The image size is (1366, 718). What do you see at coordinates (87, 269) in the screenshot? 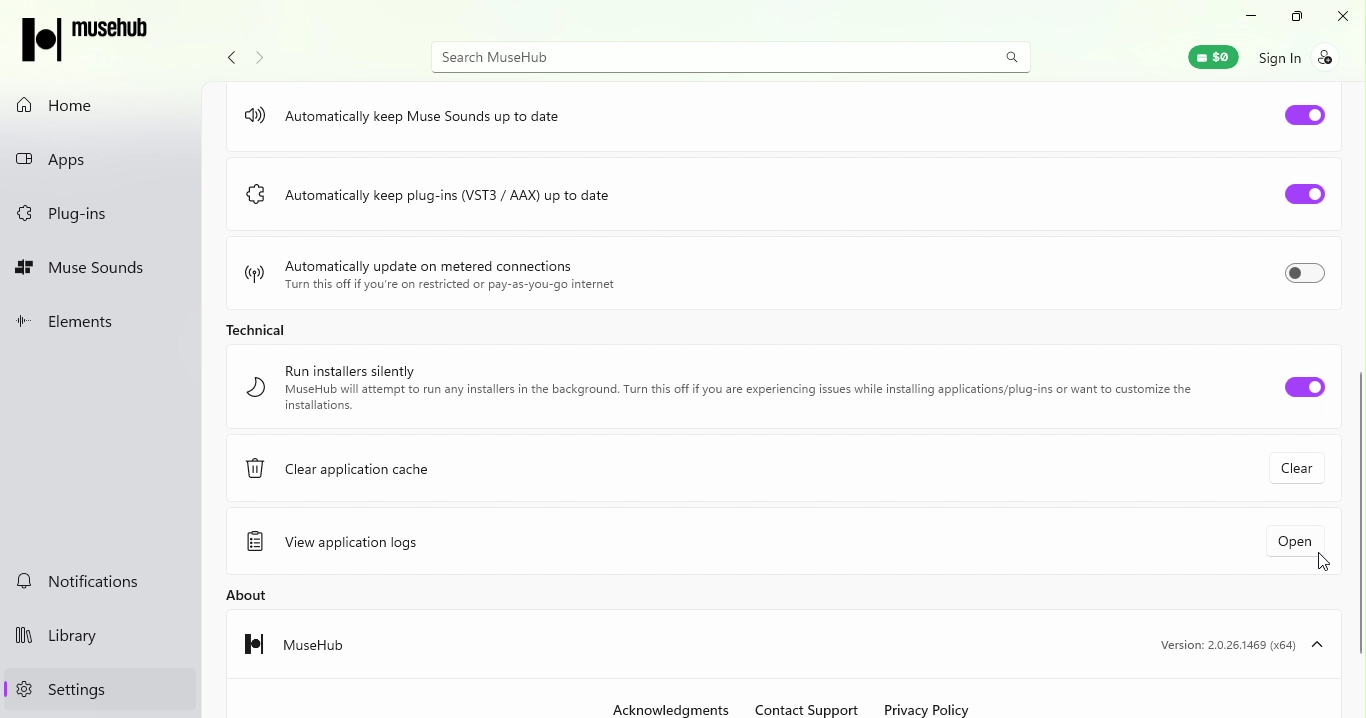
I see `Muse sounds` at bounding box center [87, 269].